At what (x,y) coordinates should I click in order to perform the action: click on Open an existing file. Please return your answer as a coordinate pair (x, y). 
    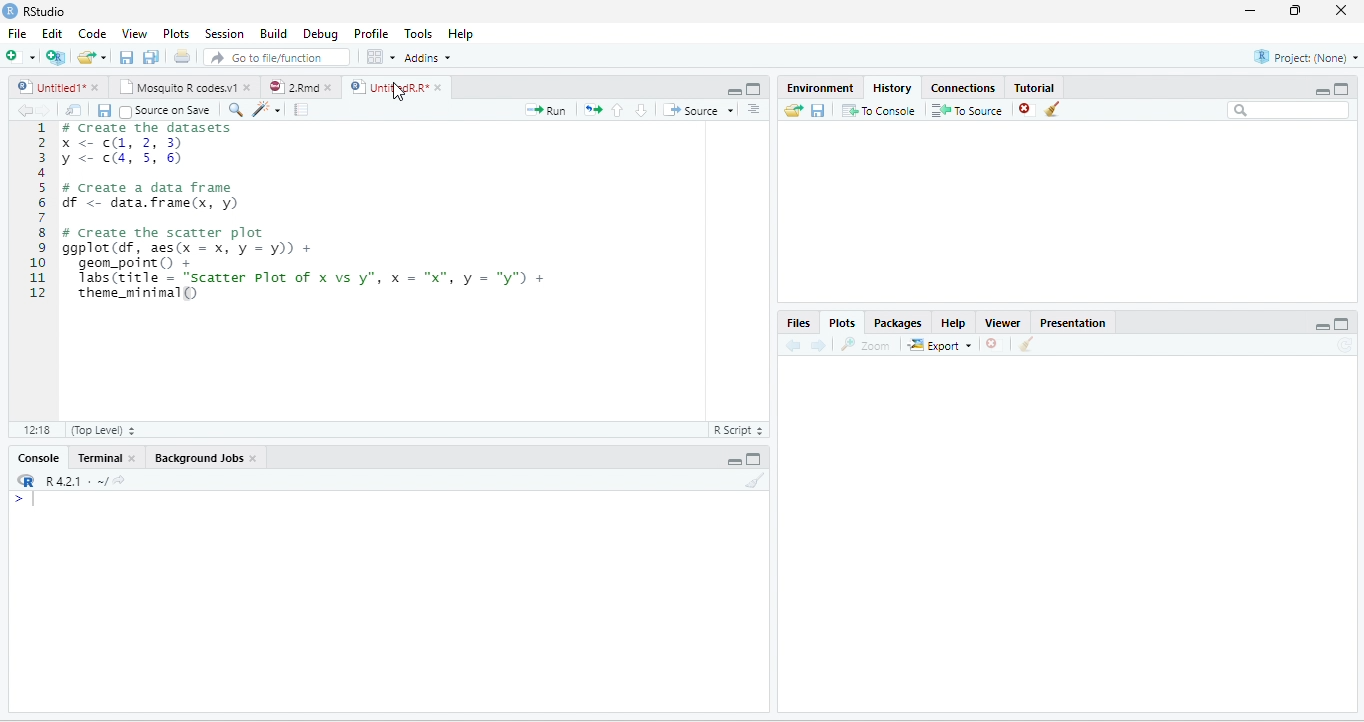
    Looking at the image, I should click on (86, 57).